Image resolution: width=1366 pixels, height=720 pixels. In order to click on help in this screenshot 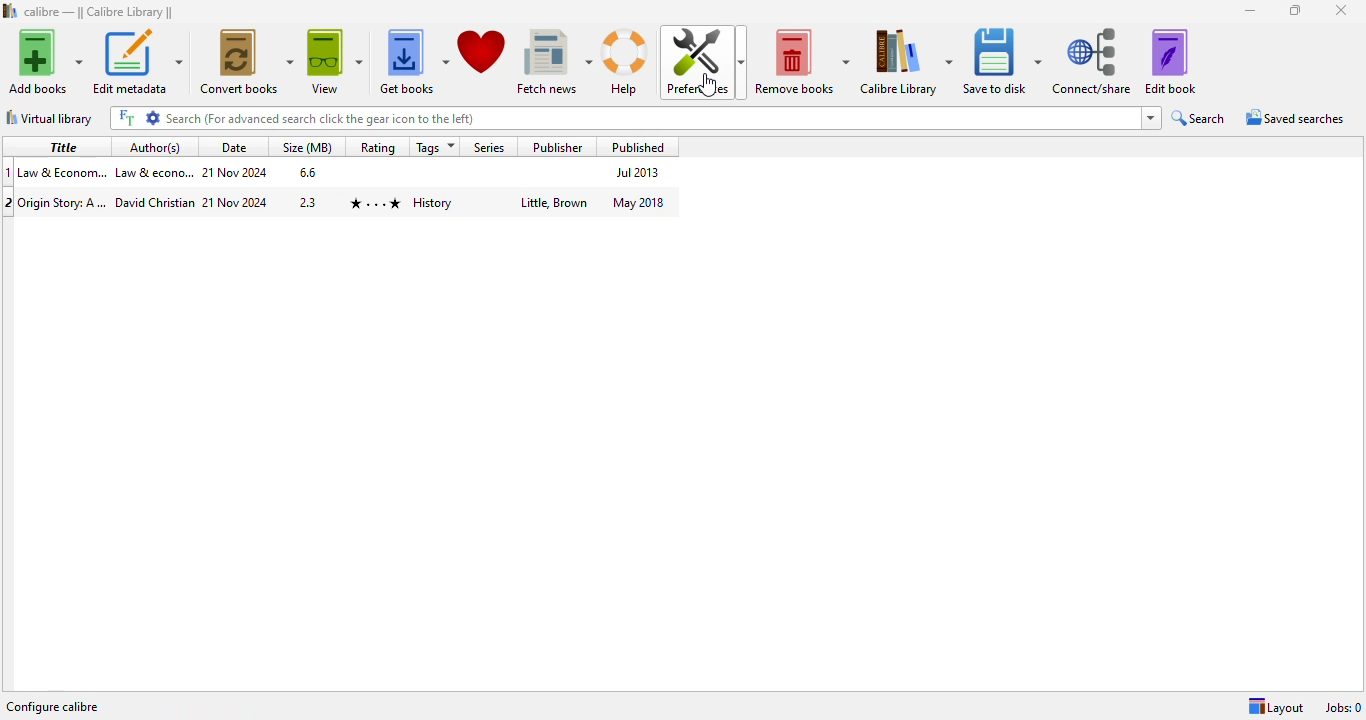, I will do `click(626, 61)`.